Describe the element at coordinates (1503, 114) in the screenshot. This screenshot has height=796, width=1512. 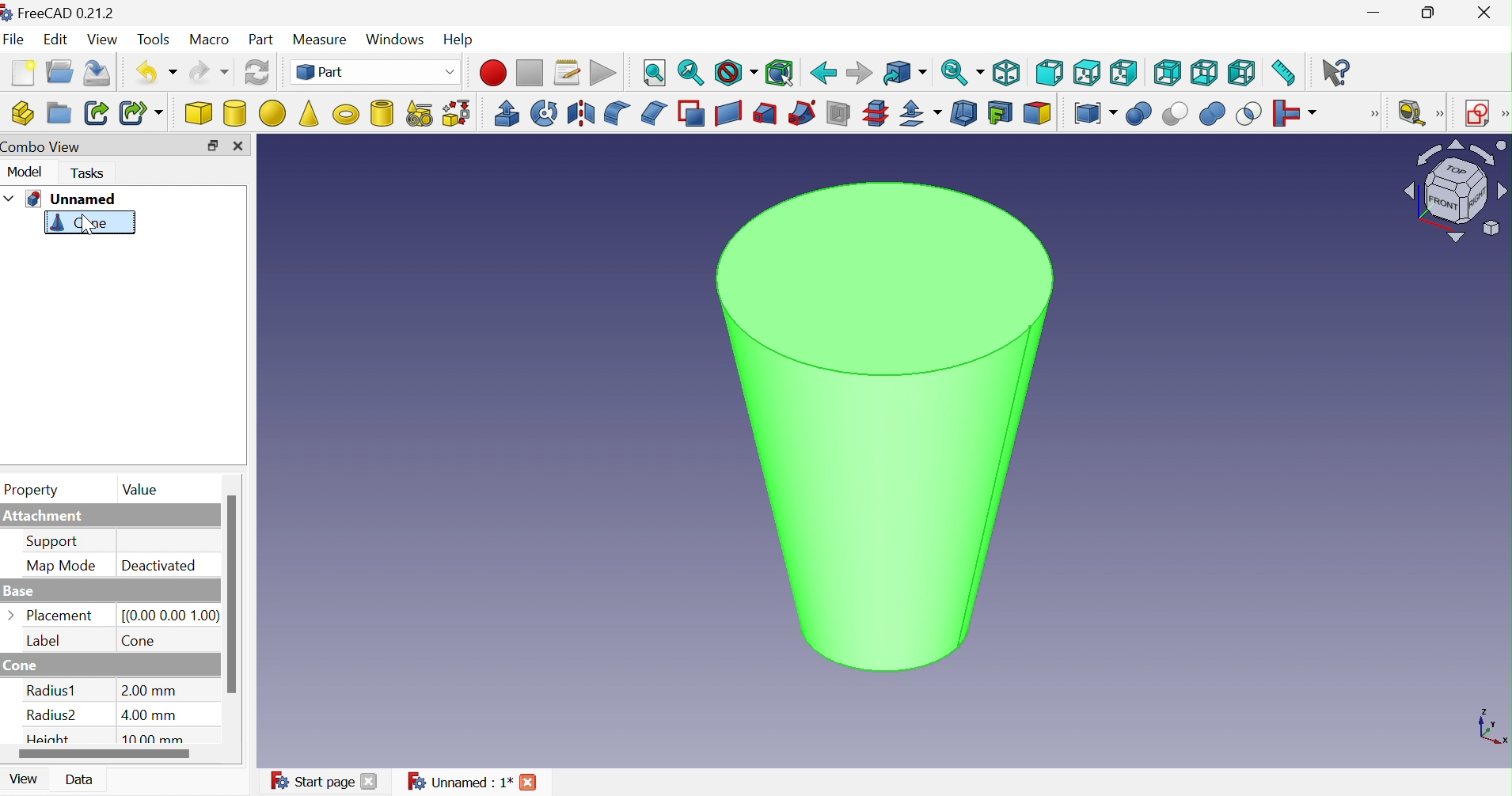
I see `Sketcher` at that location.